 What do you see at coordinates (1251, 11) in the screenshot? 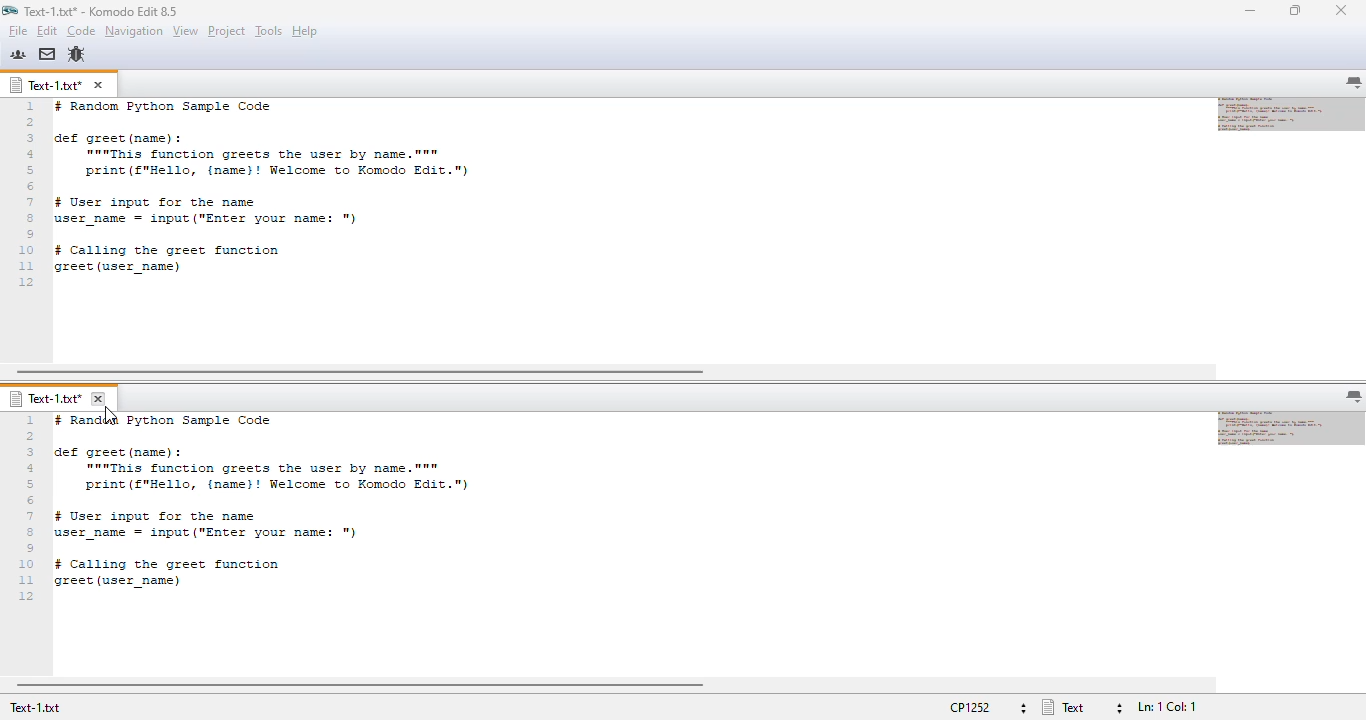
I see `minimize` at bounding box center [1251, 11].